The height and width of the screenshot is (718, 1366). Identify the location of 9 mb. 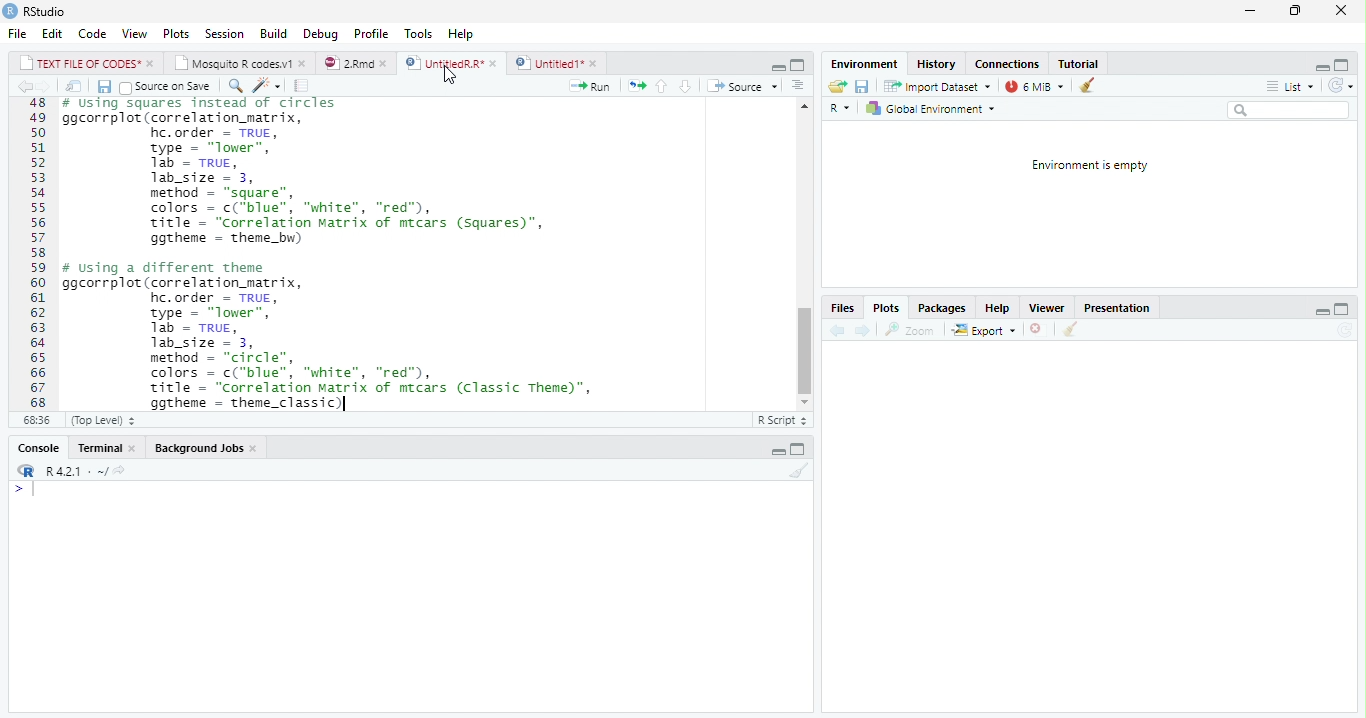
(1036, 87).